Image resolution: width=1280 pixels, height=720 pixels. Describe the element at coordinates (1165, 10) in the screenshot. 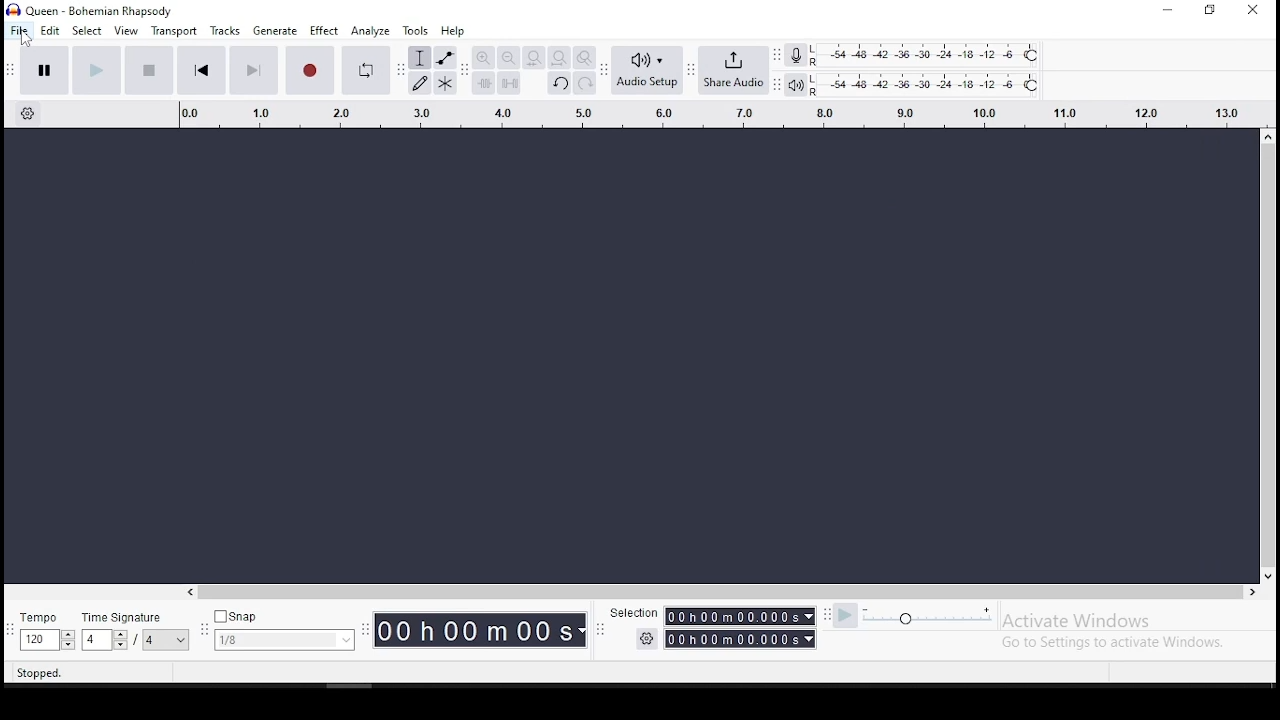

I see `minimize` at that location.